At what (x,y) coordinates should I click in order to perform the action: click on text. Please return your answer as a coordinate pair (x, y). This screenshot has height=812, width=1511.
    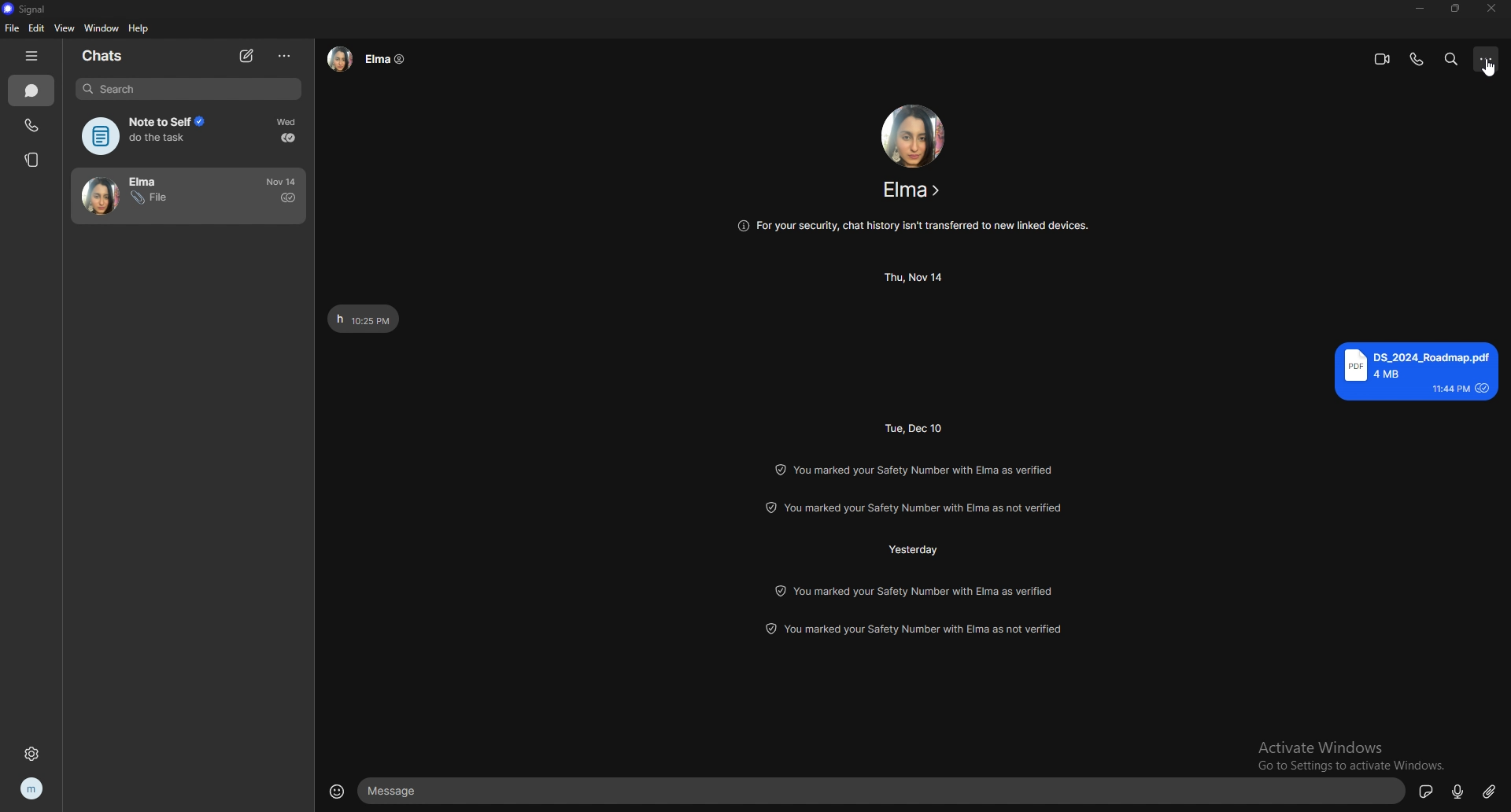
    Looking at the image, I should click on (1415, 371).